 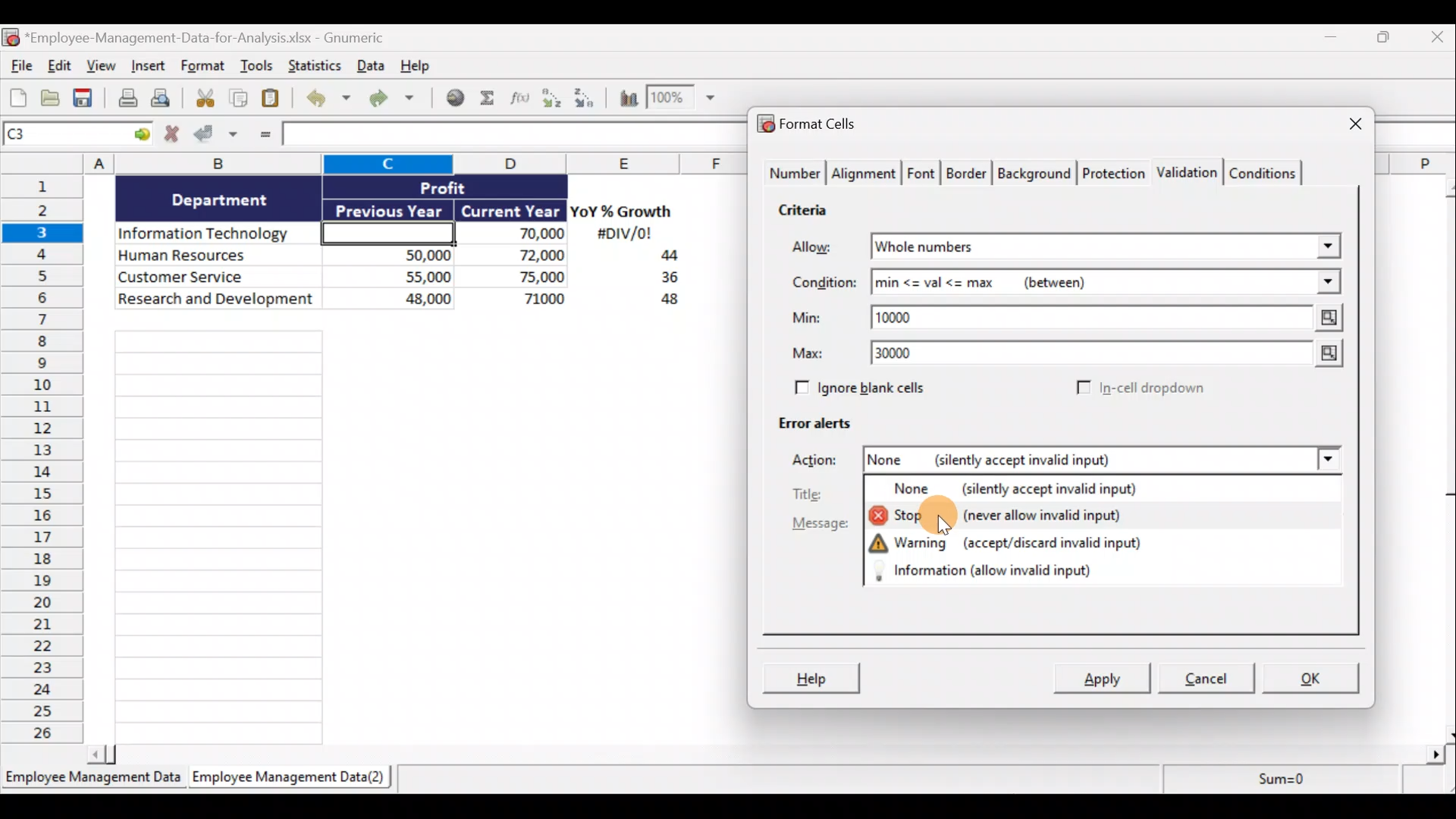 What do you see at coordinates (142, 135) in the screenshot?
I see `Go to` at bounding box center [142, 135].